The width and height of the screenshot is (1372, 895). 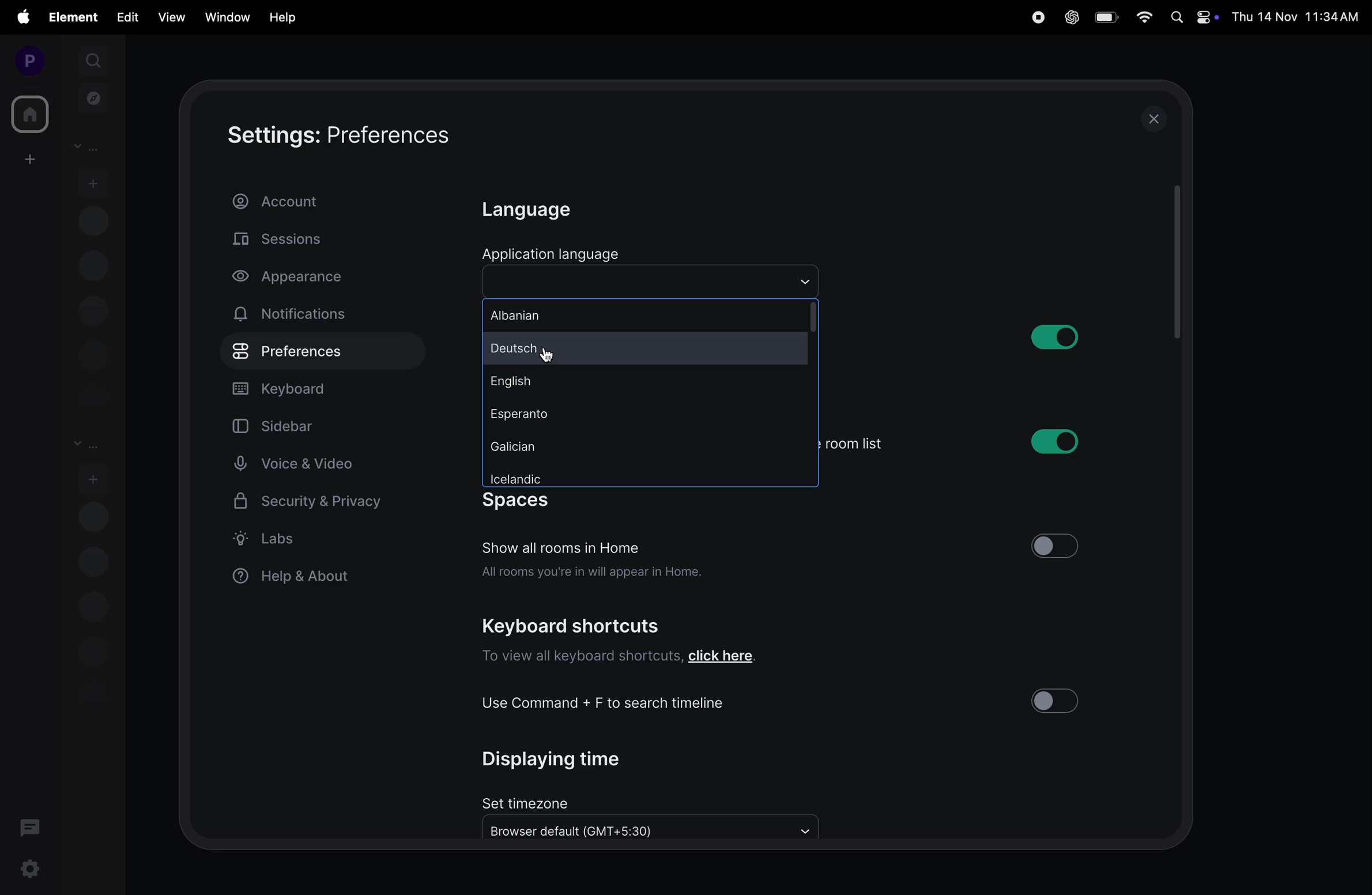 I want to click on rooms, so click(x=86, y=446).